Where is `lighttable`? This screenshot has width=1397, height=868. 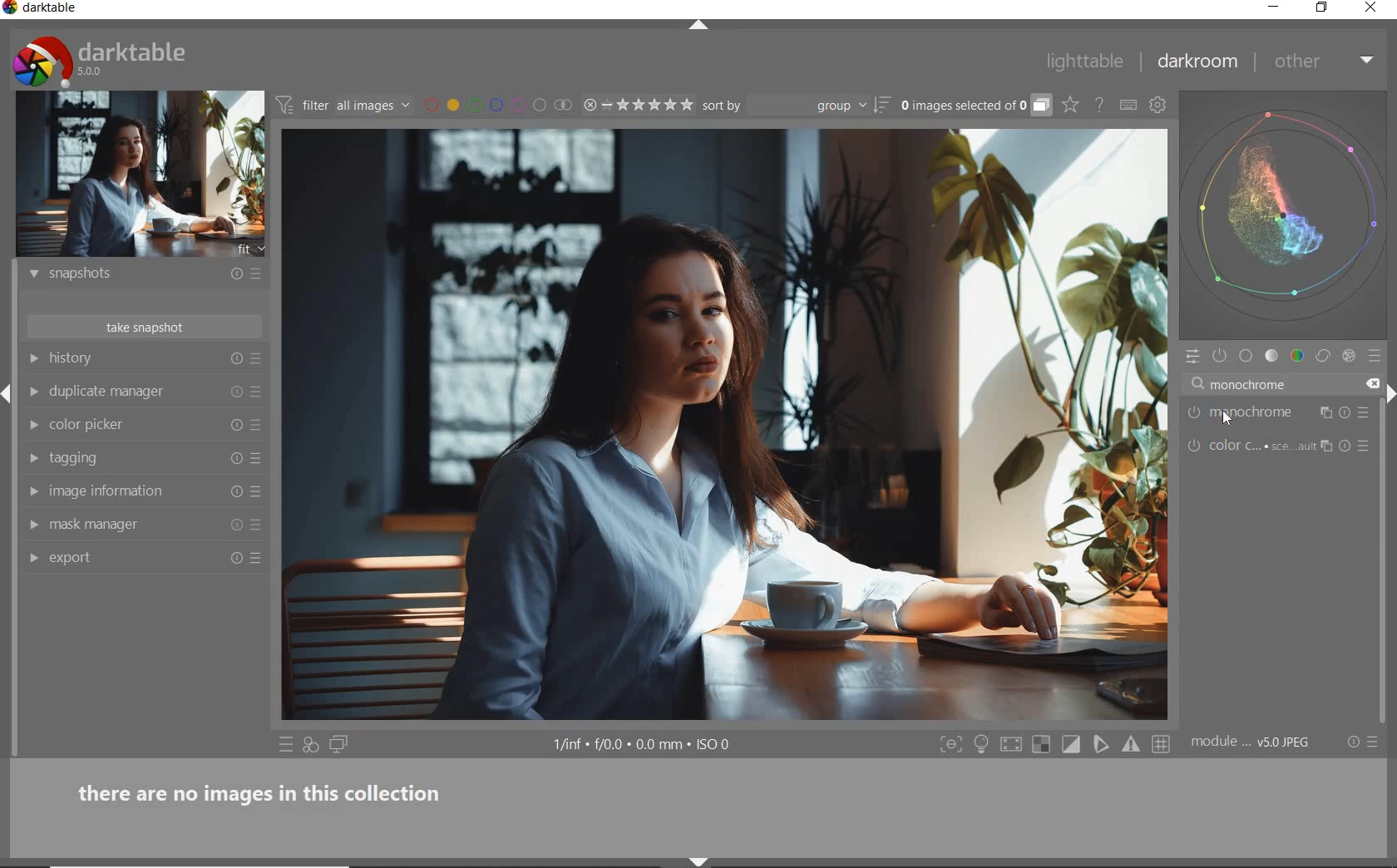 lighttable is located at coordinates (1085, 64).